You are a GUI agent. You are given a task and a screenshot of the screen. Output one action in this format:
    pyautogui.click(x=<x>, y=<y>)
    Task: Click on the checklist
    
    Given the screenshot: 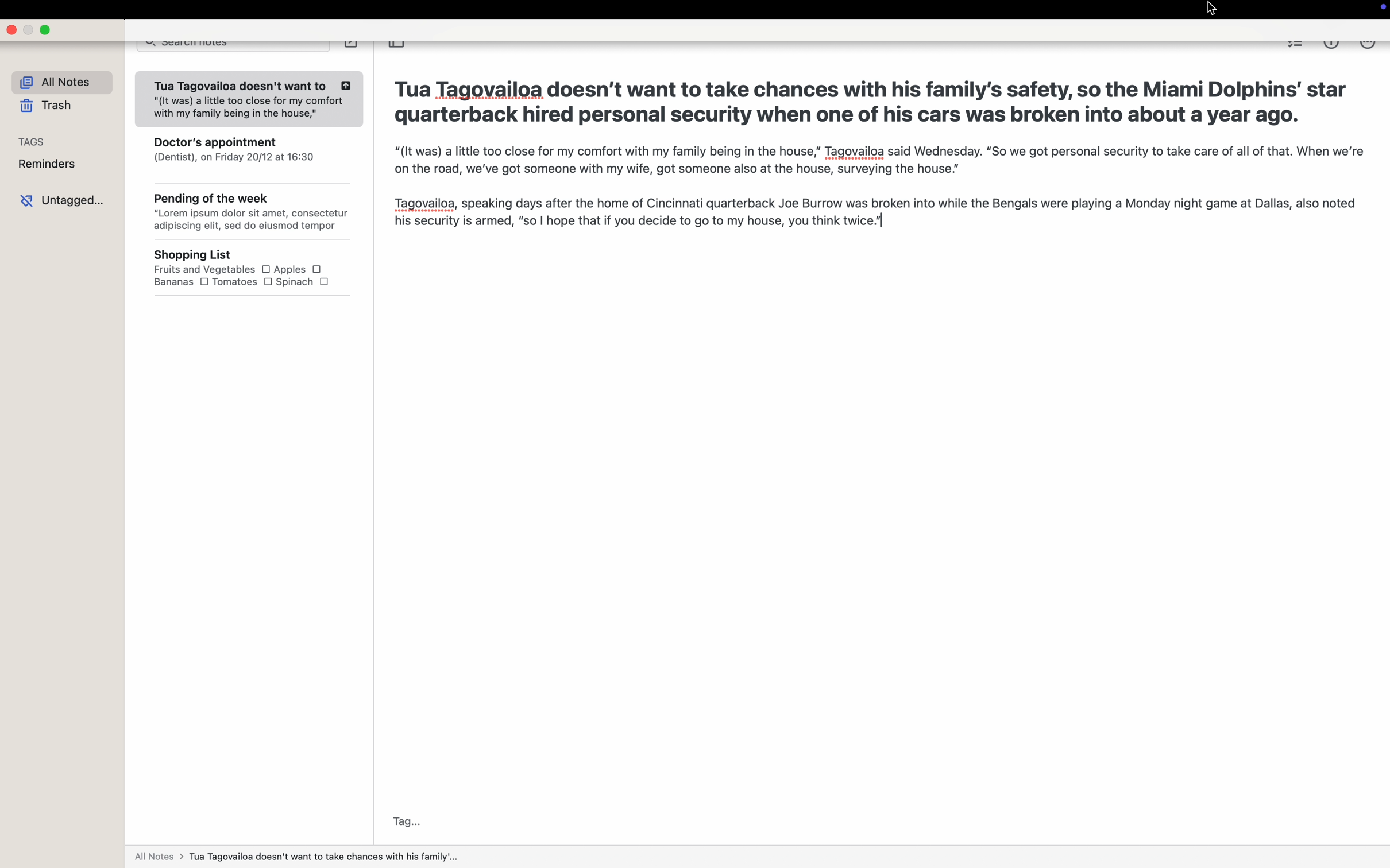 What is the action you would take?
    pyautogui.click(x=1294, y=43)
    